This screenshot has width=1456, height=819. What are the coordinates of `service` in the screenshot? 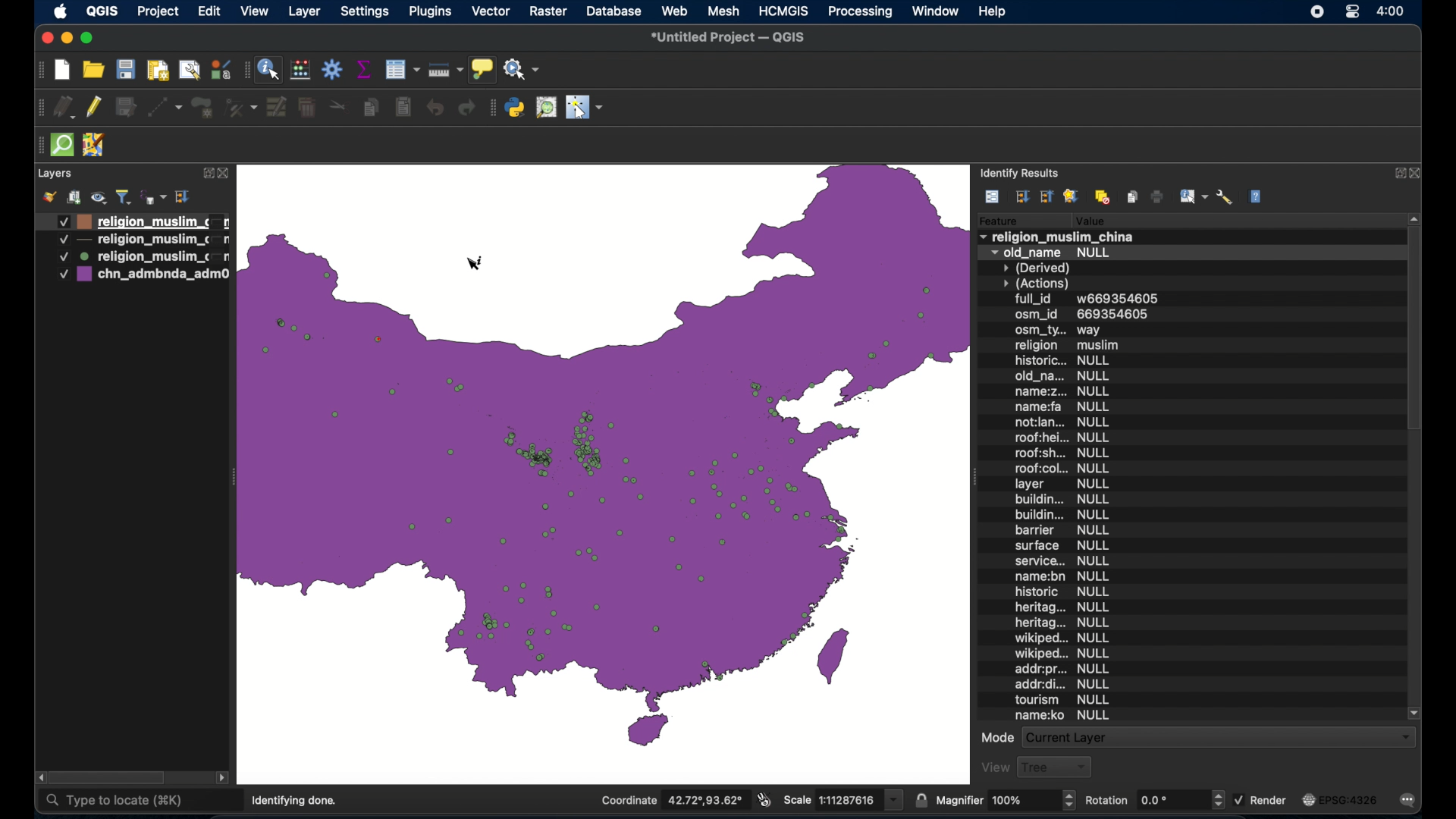 It's located at (1058, 560).